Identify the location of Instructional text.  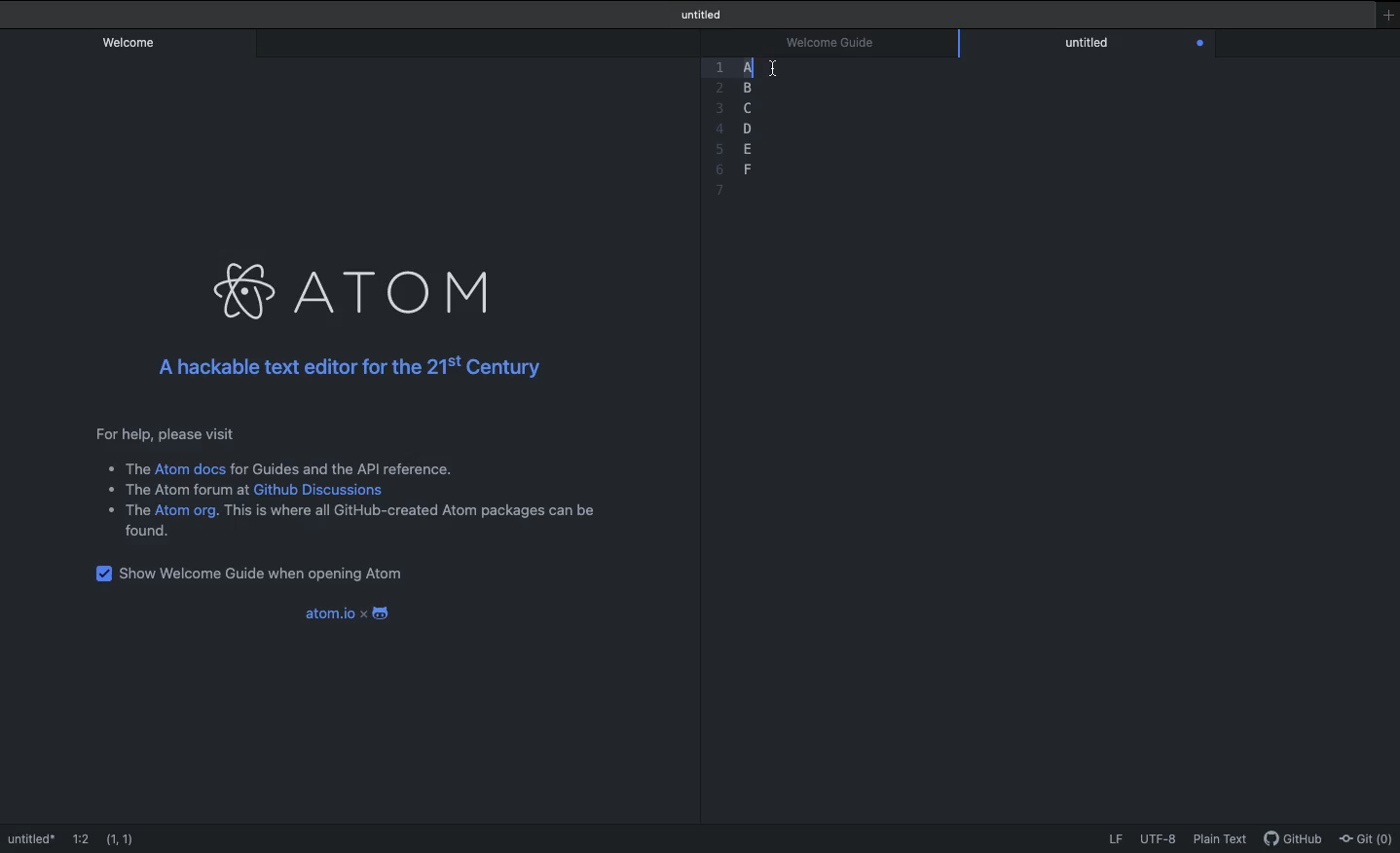
(341, 483).